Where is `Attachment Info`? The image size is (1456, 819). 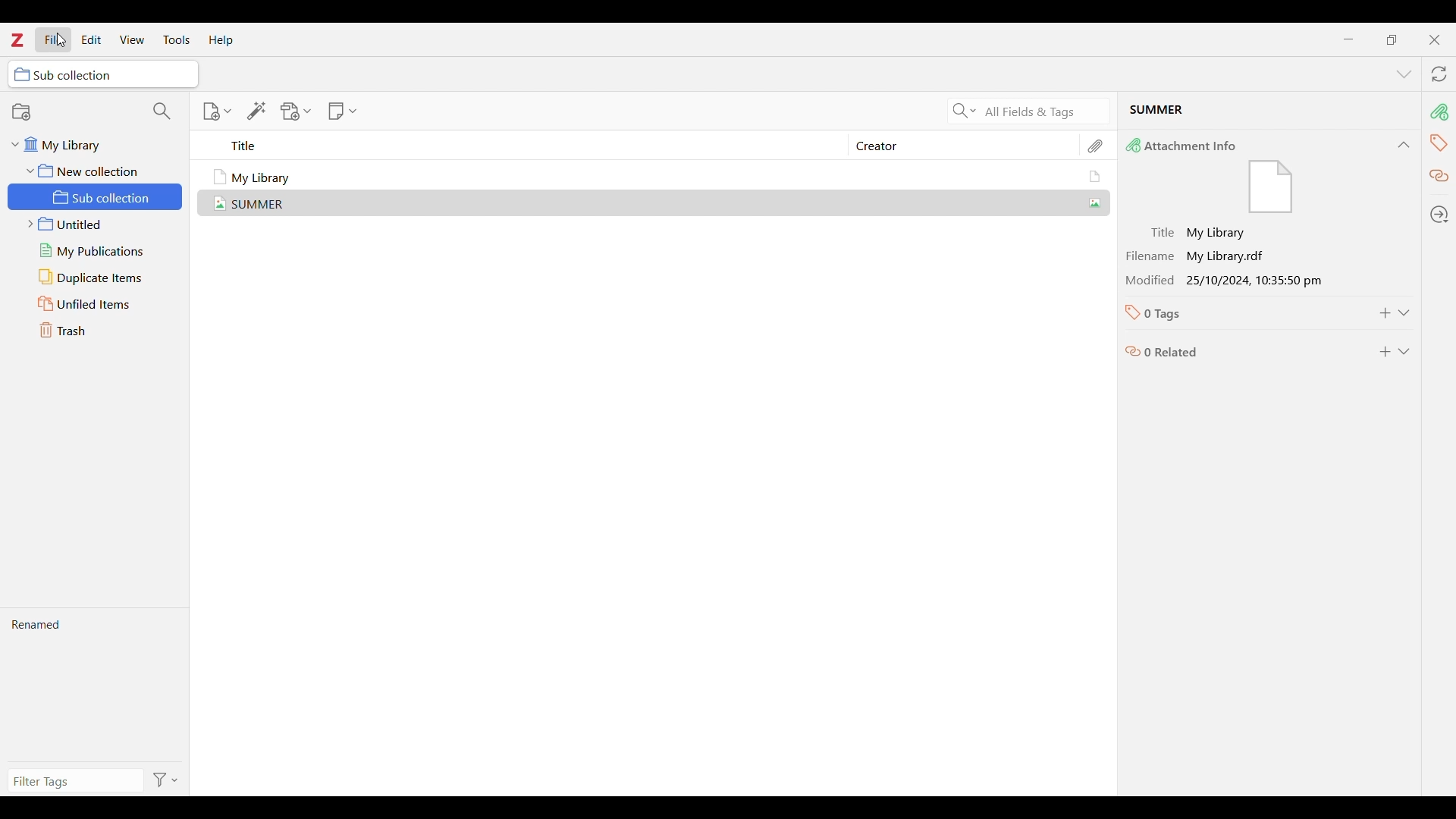
Attachment Info is located at coordinates (1250, 176).